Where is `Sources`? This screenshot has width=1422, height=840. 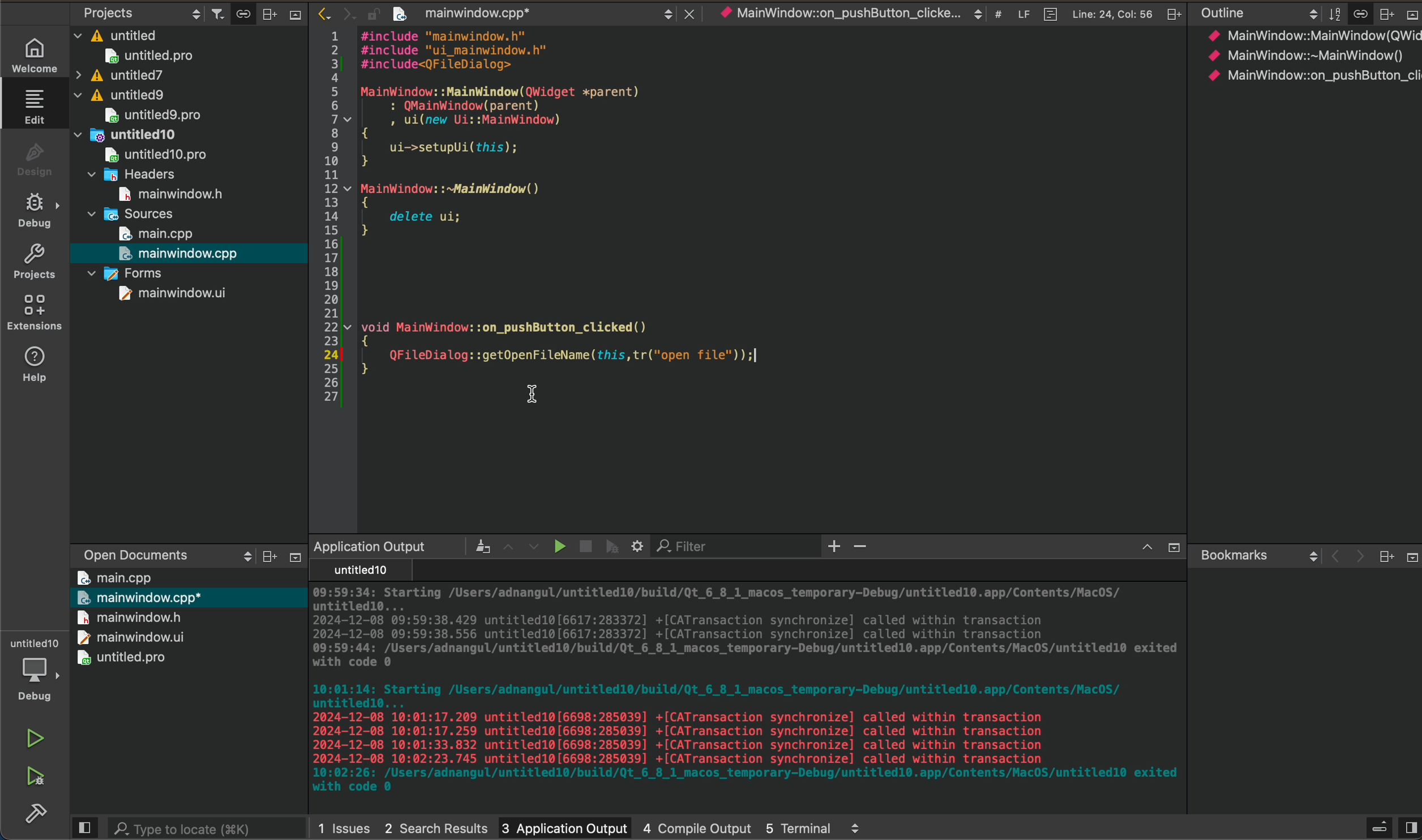
Sources is located at coordinates (132, 213).